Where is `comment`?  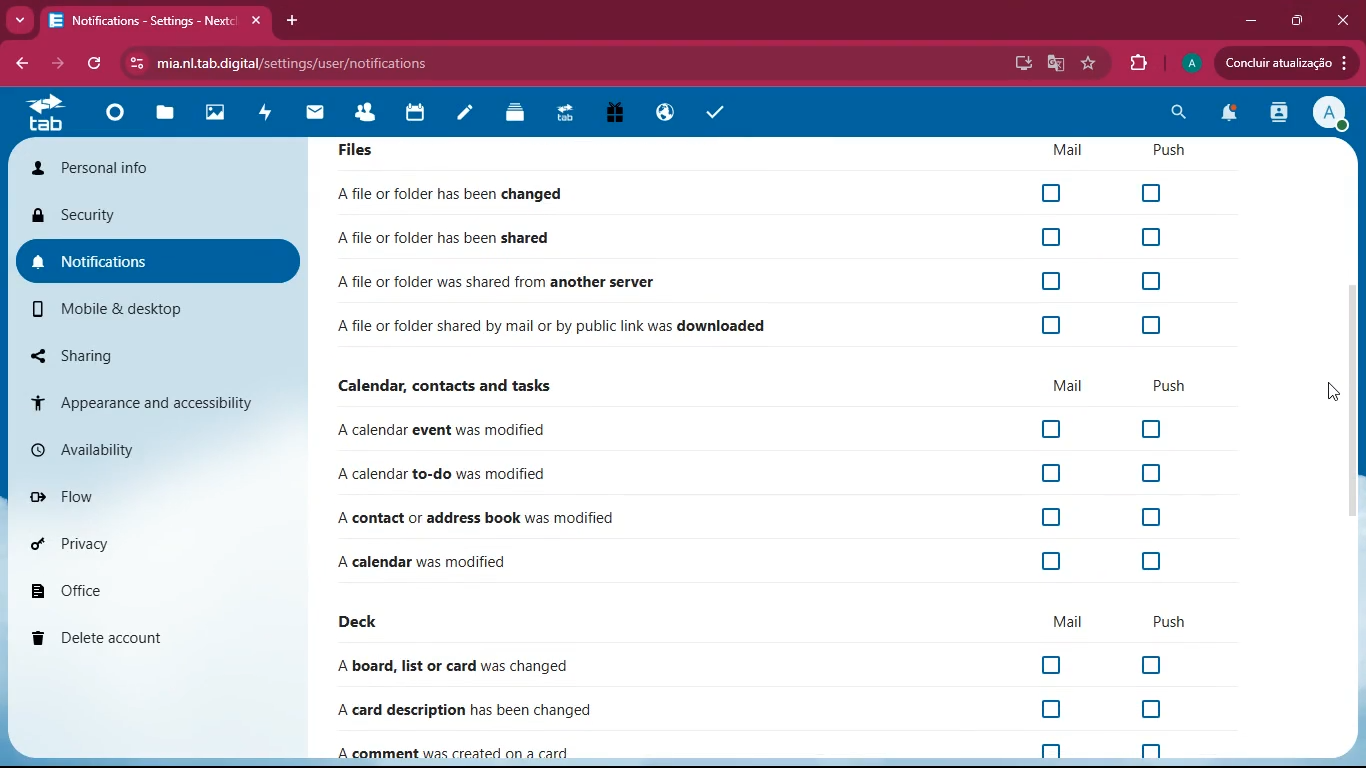
comment is located at coordinates (467, 749).